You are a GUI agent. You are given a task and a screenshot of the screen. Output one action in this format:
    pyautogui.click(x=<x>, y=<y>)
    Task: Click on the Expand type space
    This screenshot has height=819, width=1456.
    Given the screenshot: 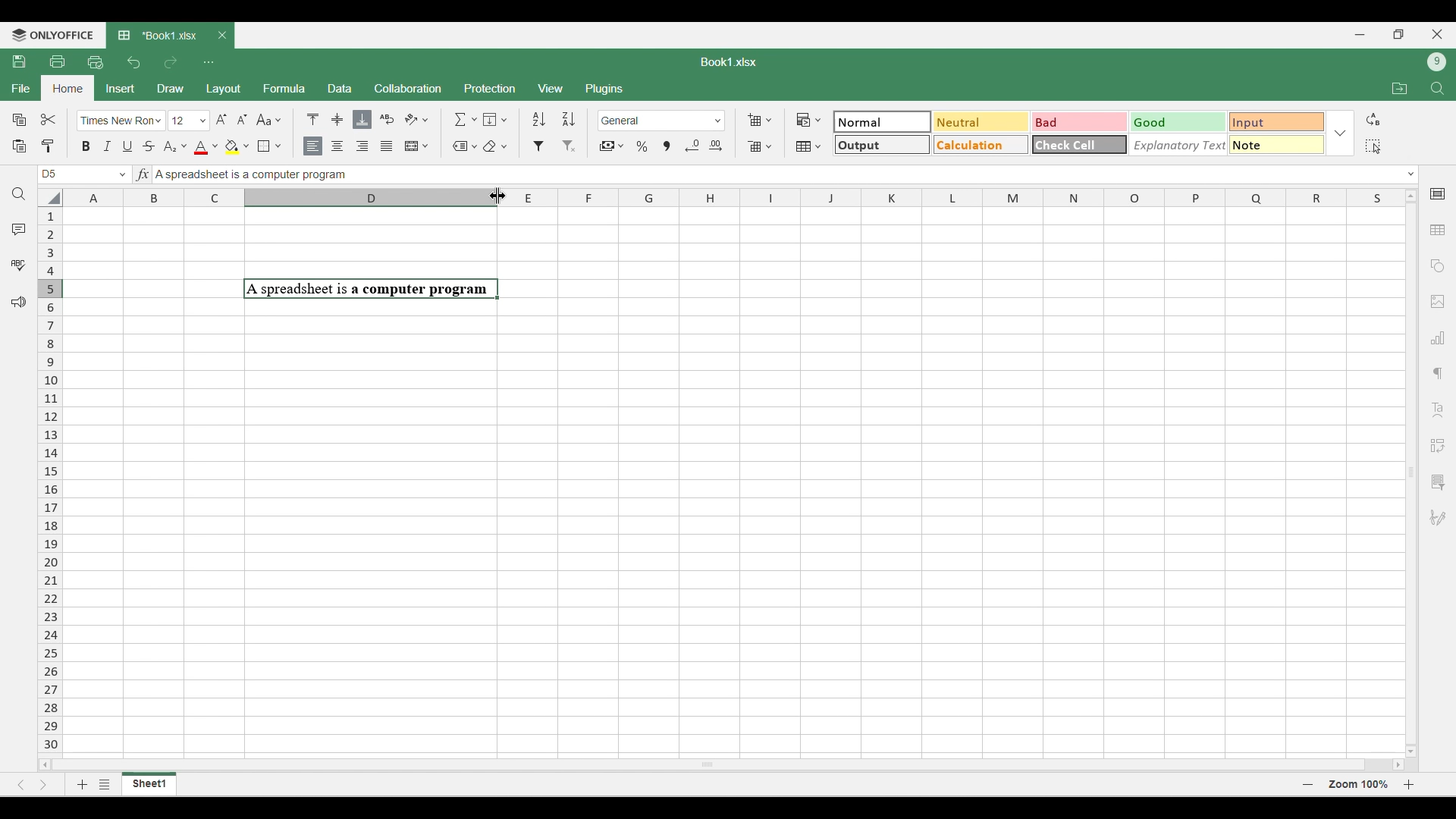 What is the action you would take?
    pyautogui.click(x=1411, y=174)
    